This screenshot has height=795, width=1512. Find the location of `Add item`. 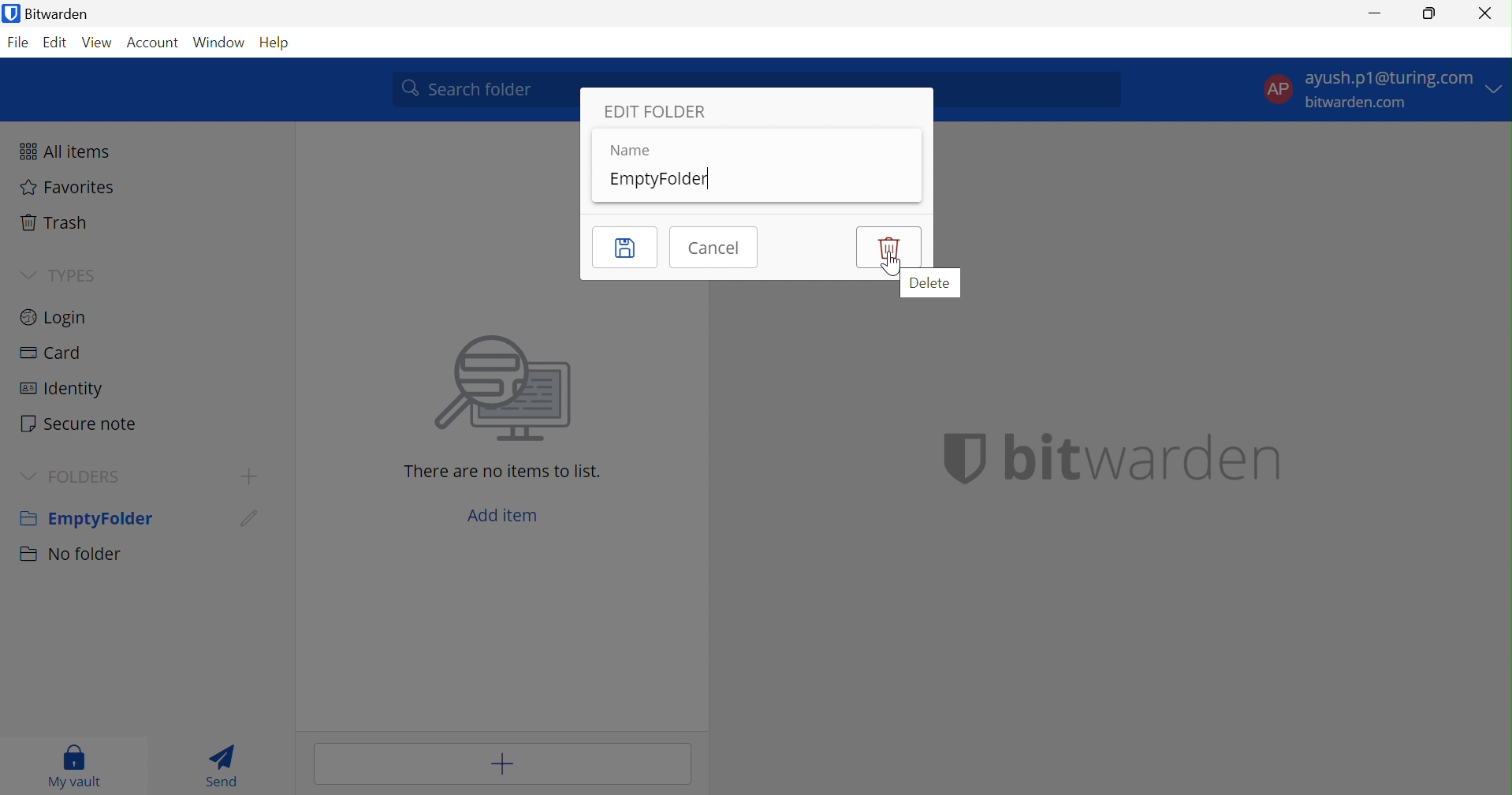

Add item is located at coordinates (503, 517).